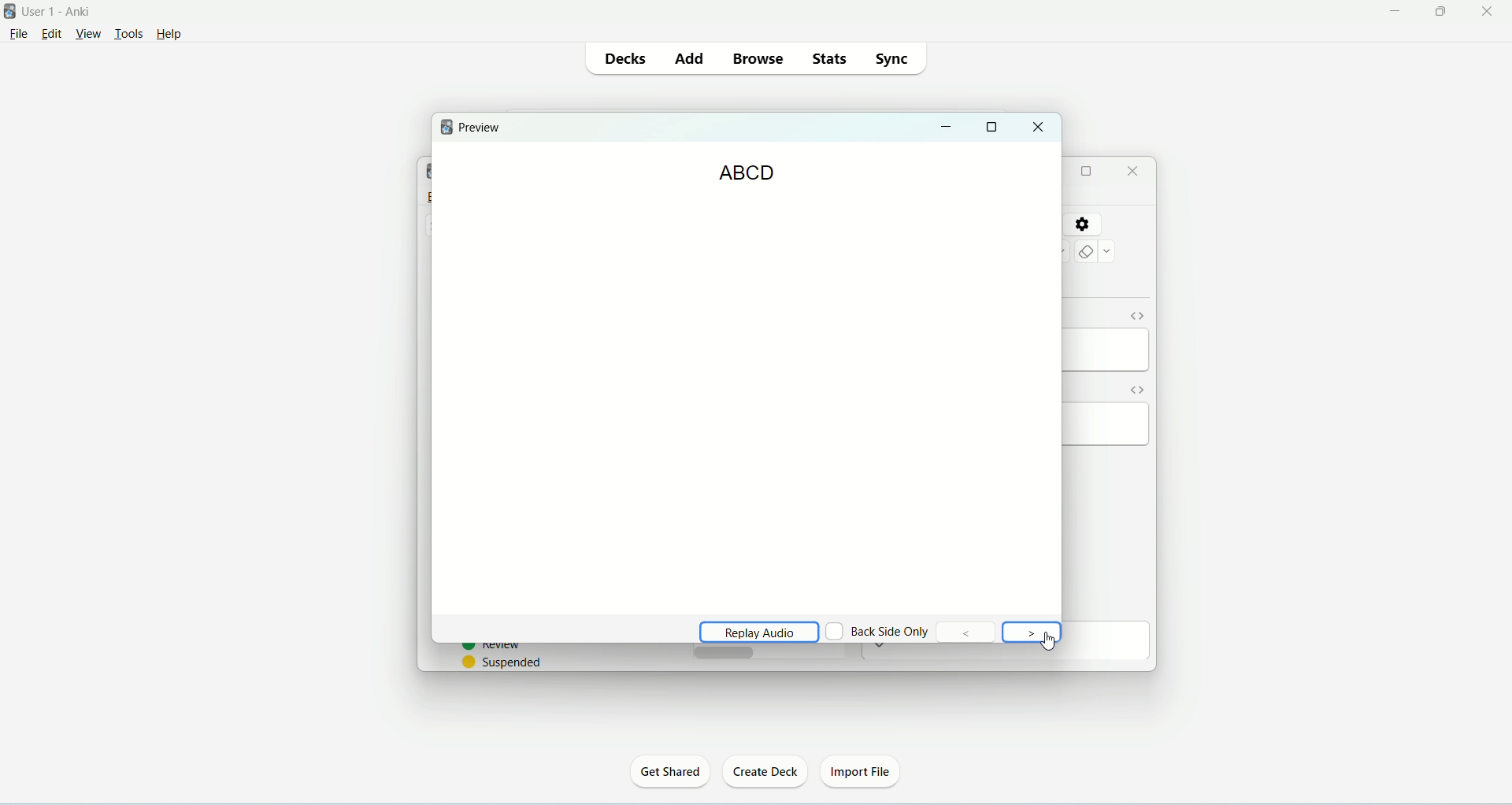 The height and width of the screenshot is (805, 1512). Describe the element at coordinates (862, 774) in the screenshot. I see `import file` at that location.